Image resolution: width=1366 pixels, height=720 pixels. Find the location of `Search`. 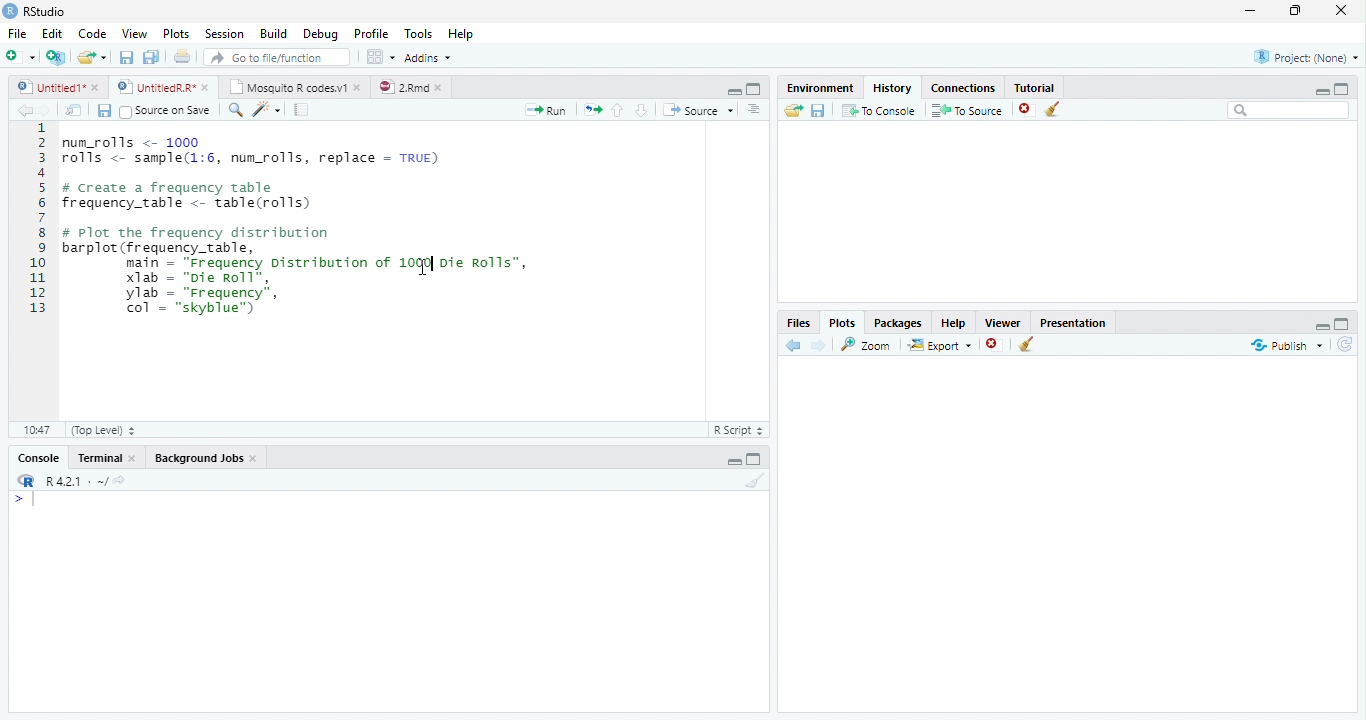

Search is located at coordinates (1287, 110).